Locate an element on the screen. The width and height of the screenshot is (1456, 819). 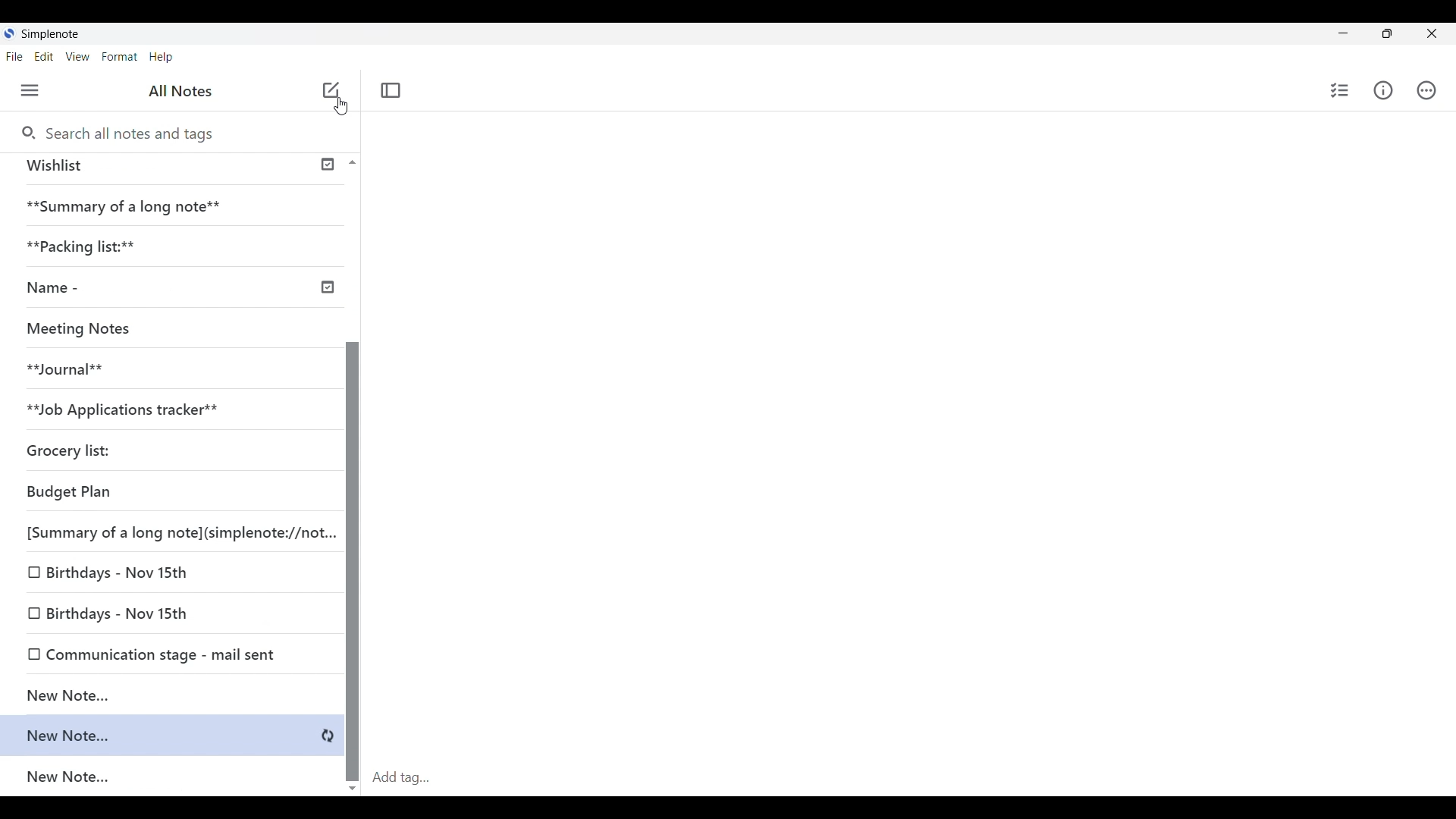
Meeting Notes is located at coordinates (90, 331).